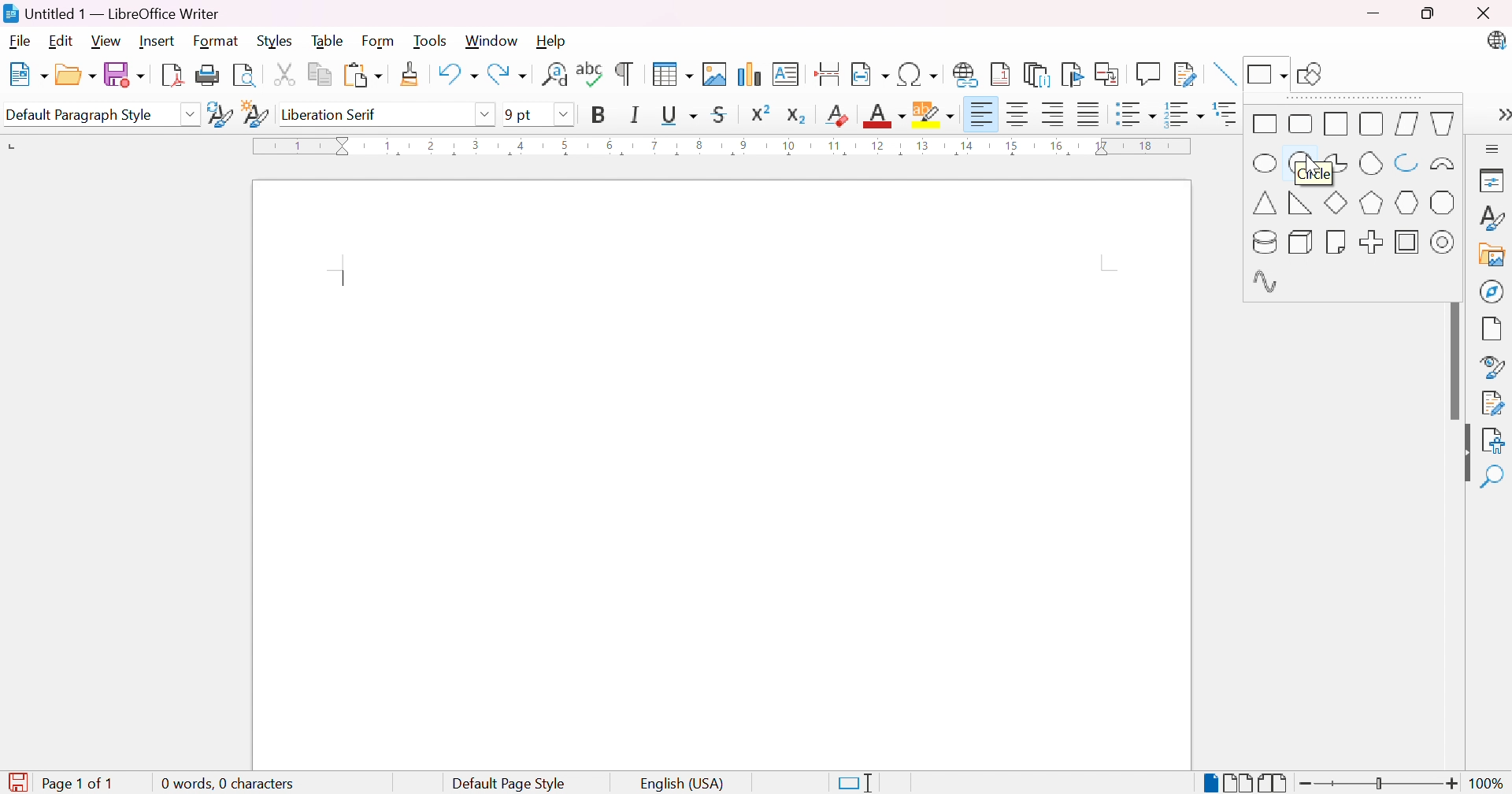  What do you see at coordinates (1039, 75) in the screenshot?
I see `Insert endnote ` at bounding box center [1039, 75].